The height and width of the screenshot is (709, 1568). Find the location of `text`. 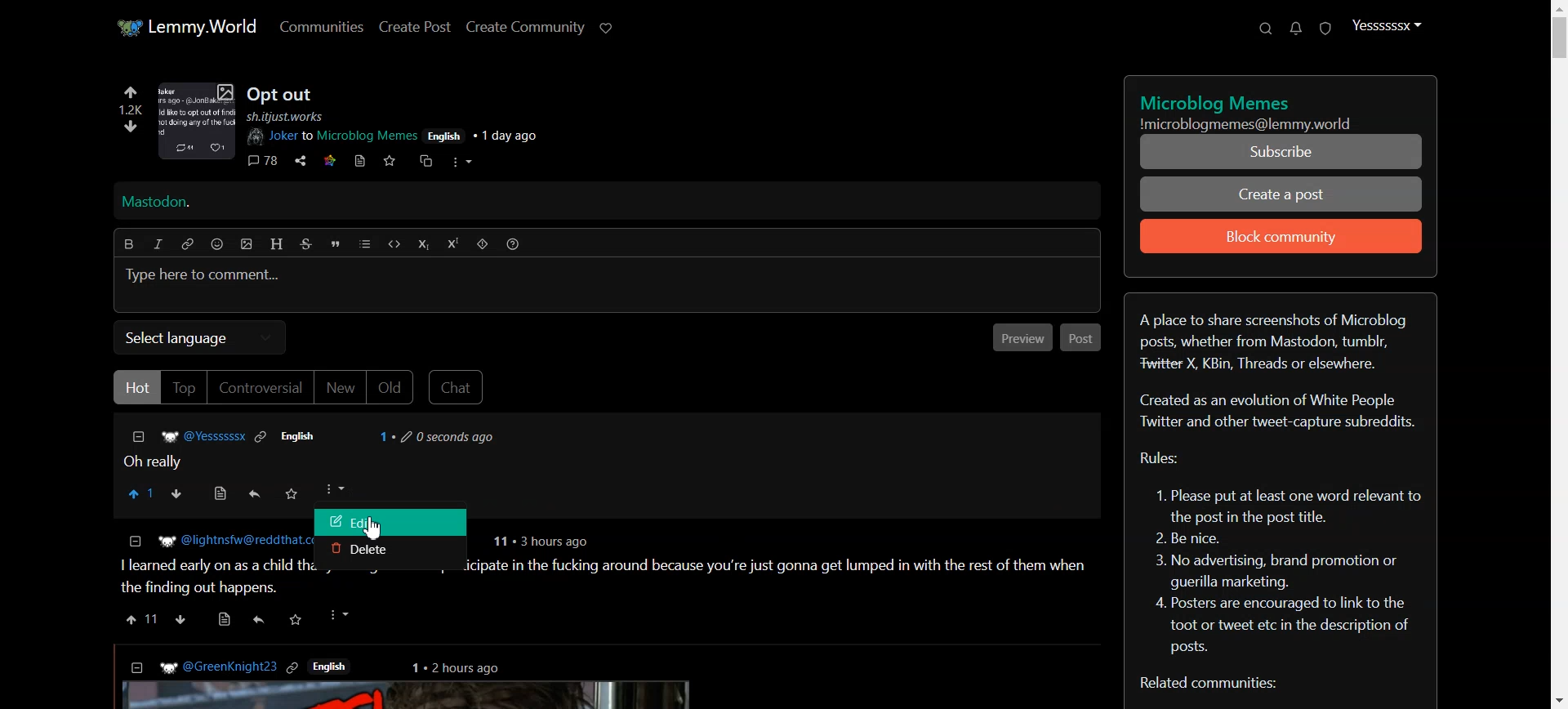

text is located at coordinates (1218, 101).